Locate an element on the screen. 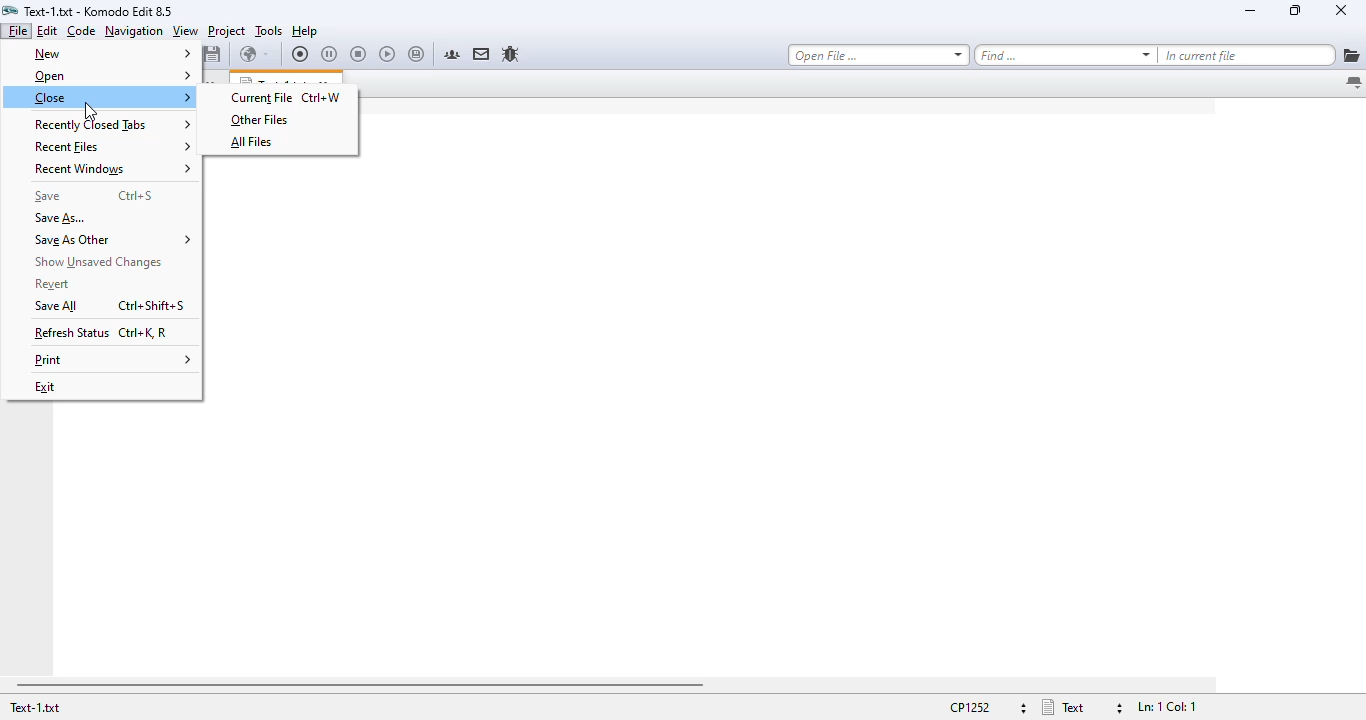  exit is located at coordinates (46, 386).